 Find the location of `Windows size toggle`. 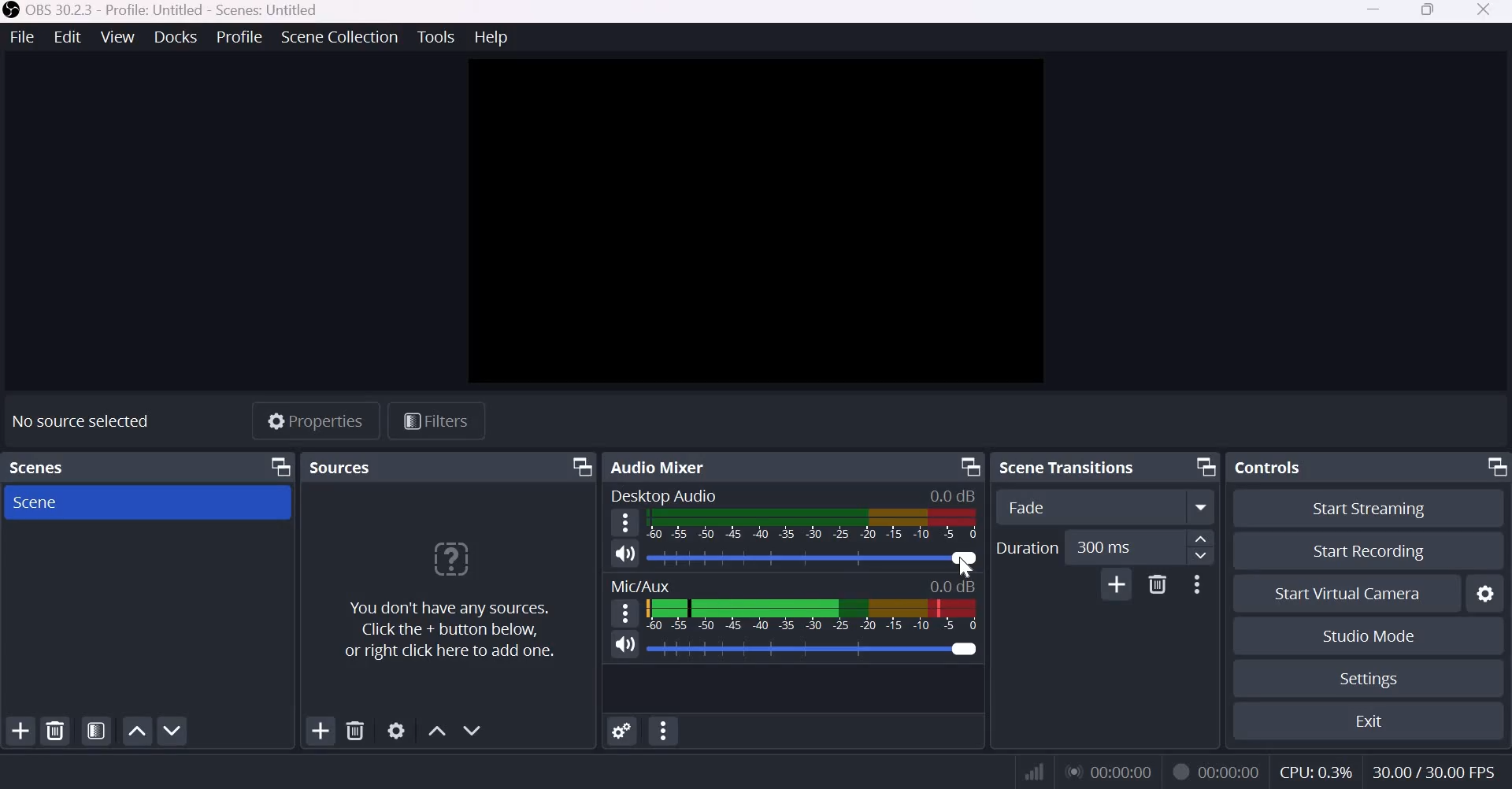

Windows size toggle is located at coordinates (1432, 12).